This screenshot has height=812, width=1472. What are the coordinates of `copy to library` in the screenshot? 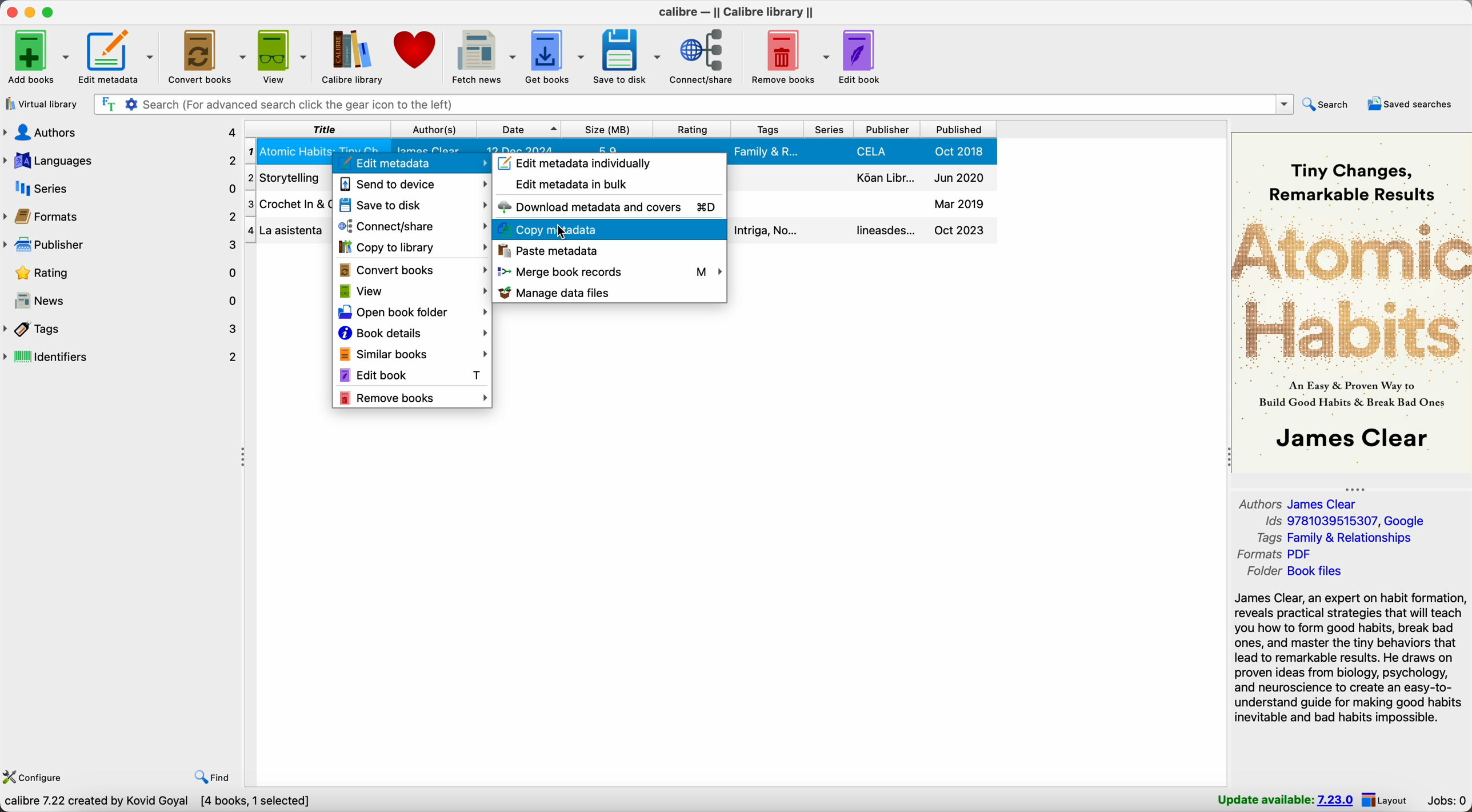 It's located at (411, 247).